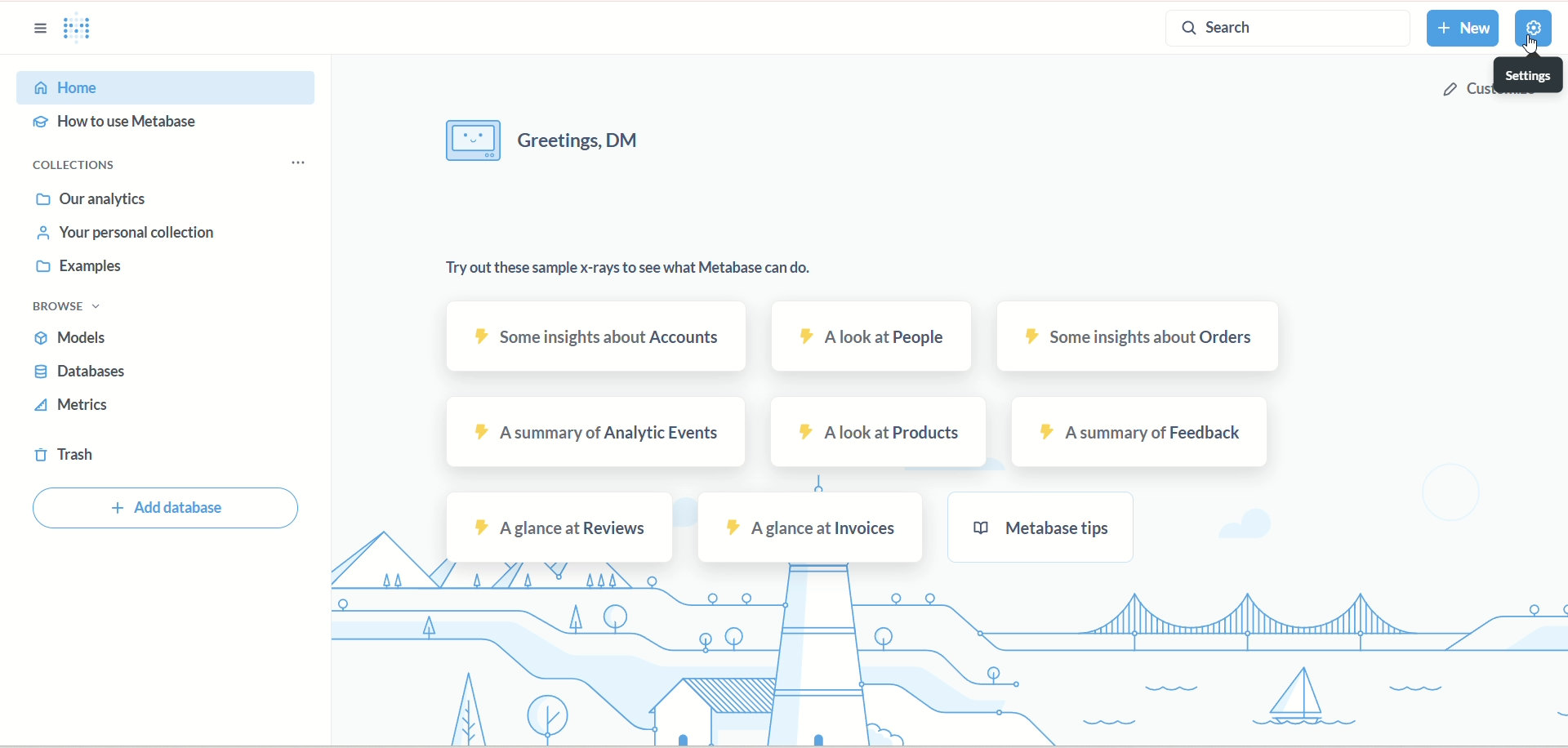 The width and height of the screenshot is (1568, 748). Describe the element at coordinates (74, 338) in the screenshot. I see `models` at that location.